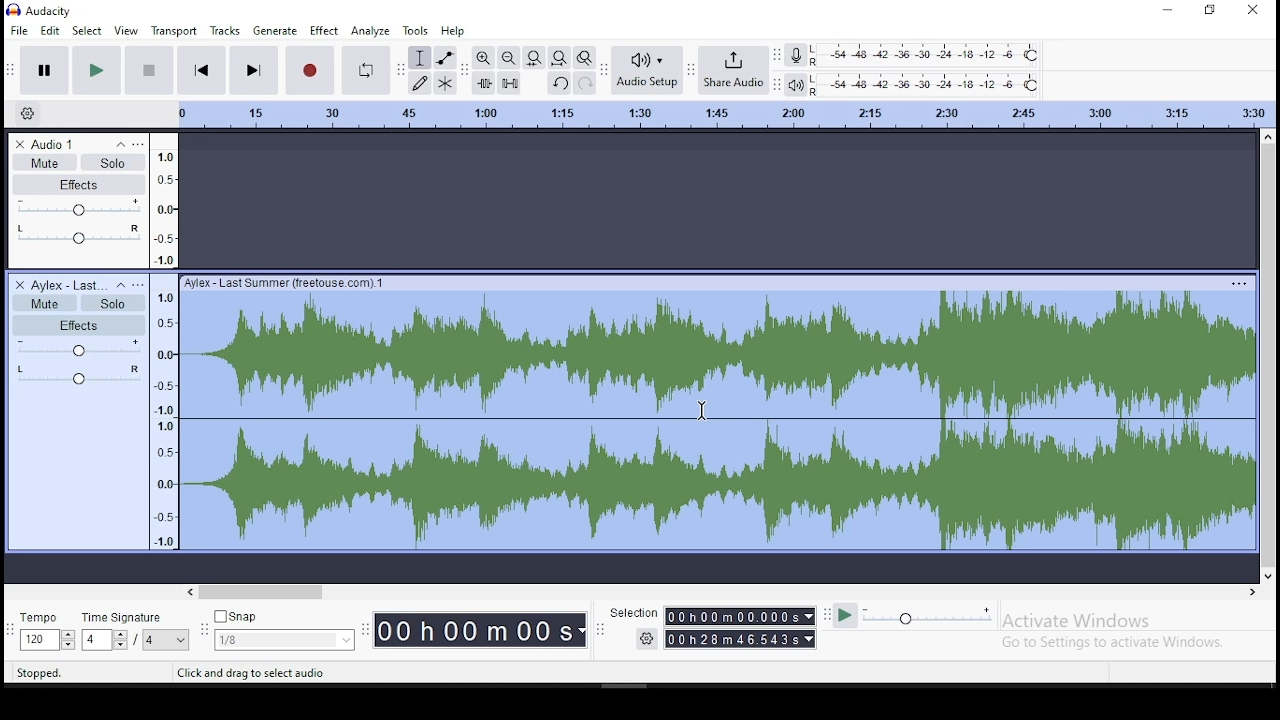 Image resolution: width=1280 pixels, height=720 pixels. What do you see at coordinates (725, 592) in the screenshot?
I see `scroll bar` at bounding box center [725, 592].